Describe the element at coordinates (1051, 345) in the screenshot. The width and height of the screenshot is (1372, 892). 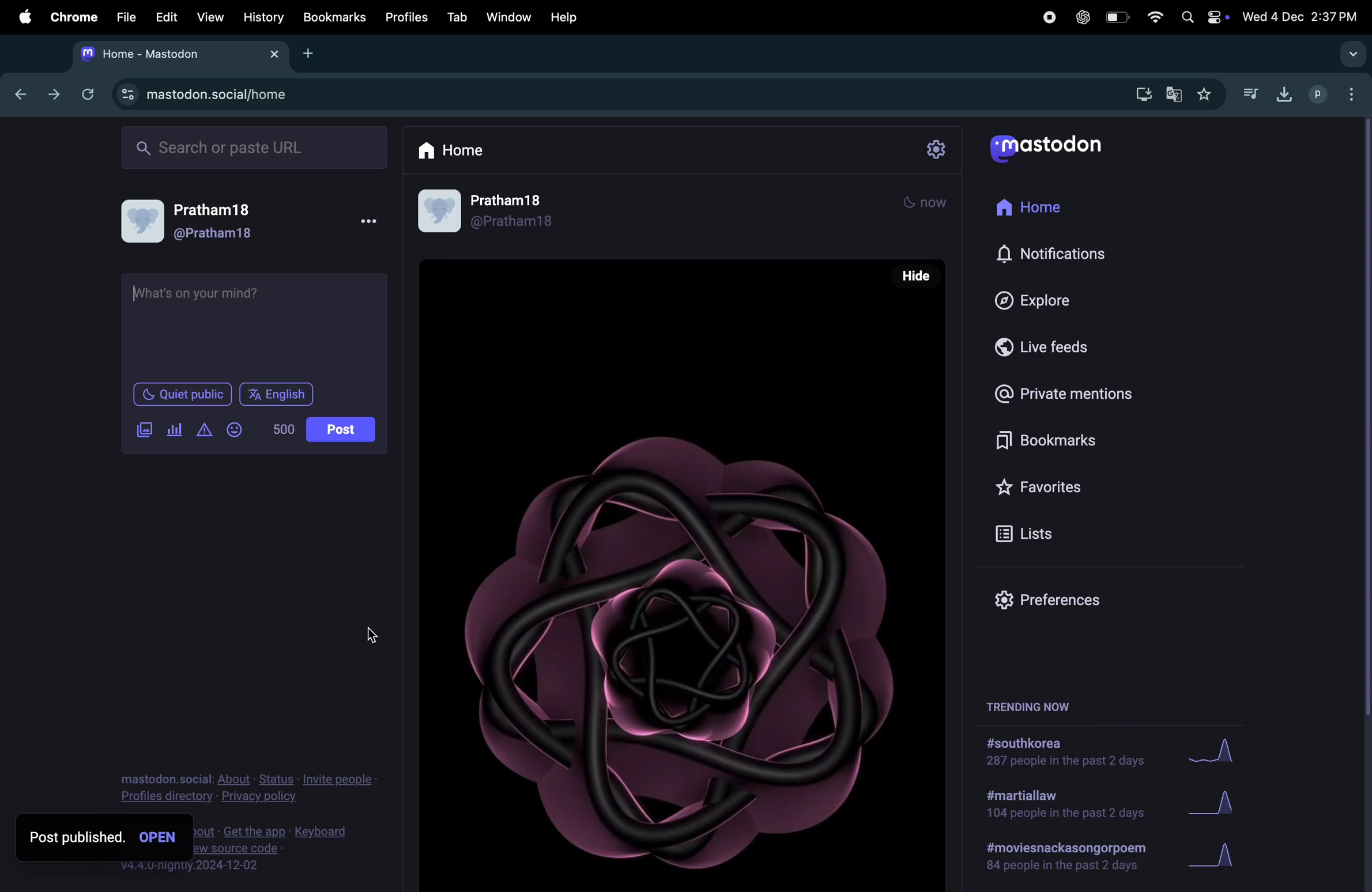
I see `live feeds` at that location.